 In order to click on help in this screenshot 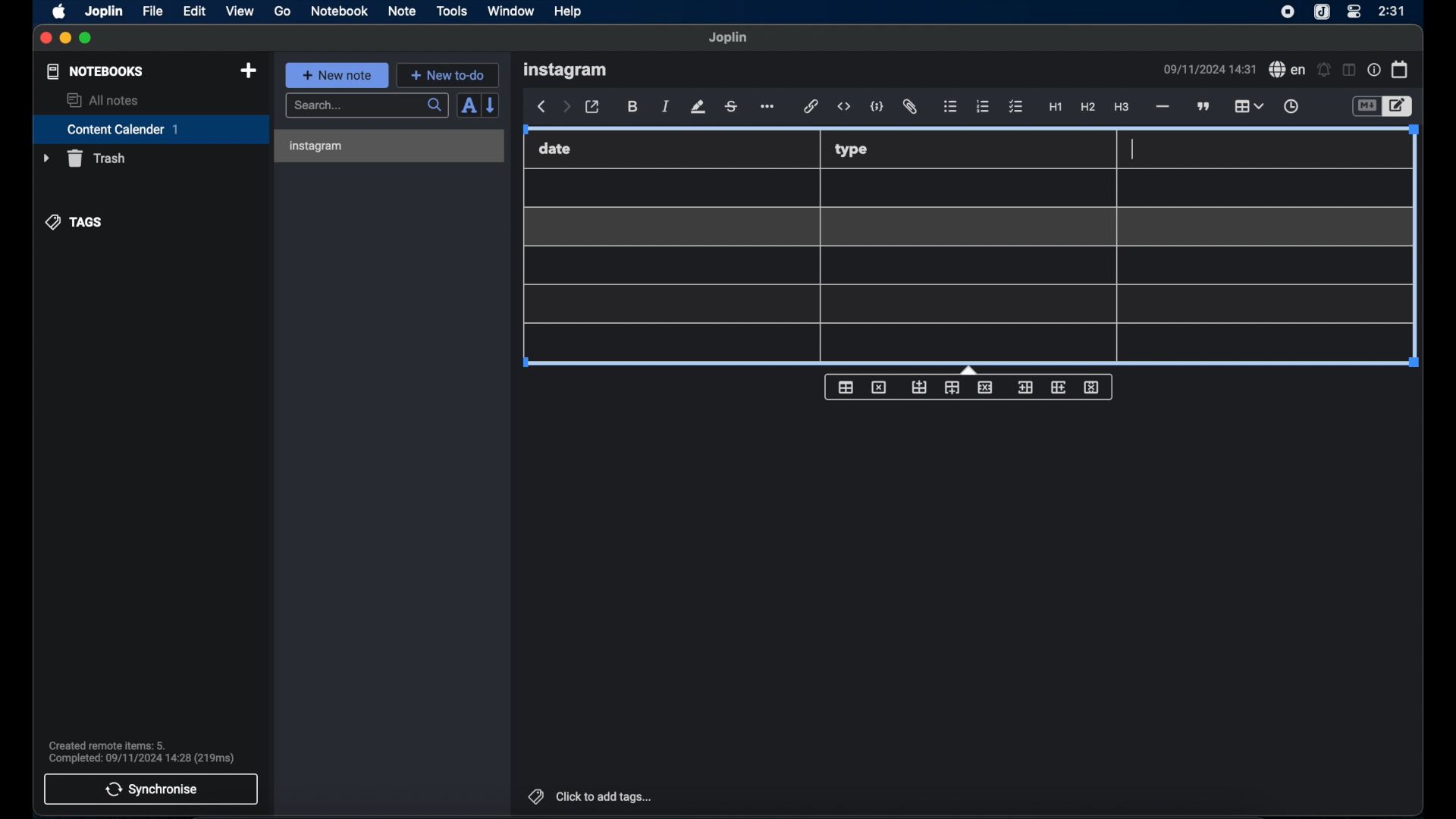, I will do `click(570, 12)`.